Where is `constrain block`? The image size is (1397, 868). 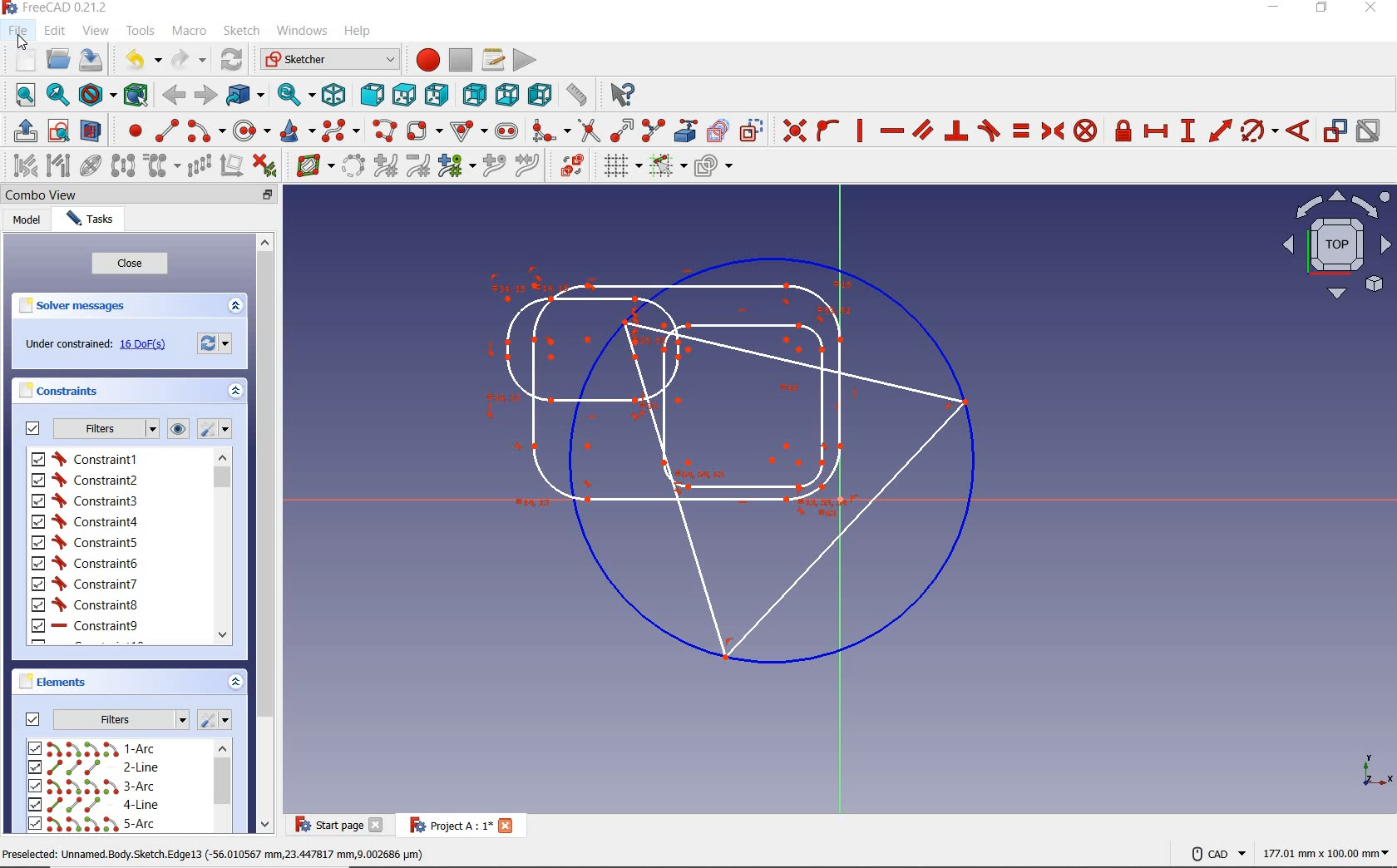 constrain block is located at coordinates (1085, 130).